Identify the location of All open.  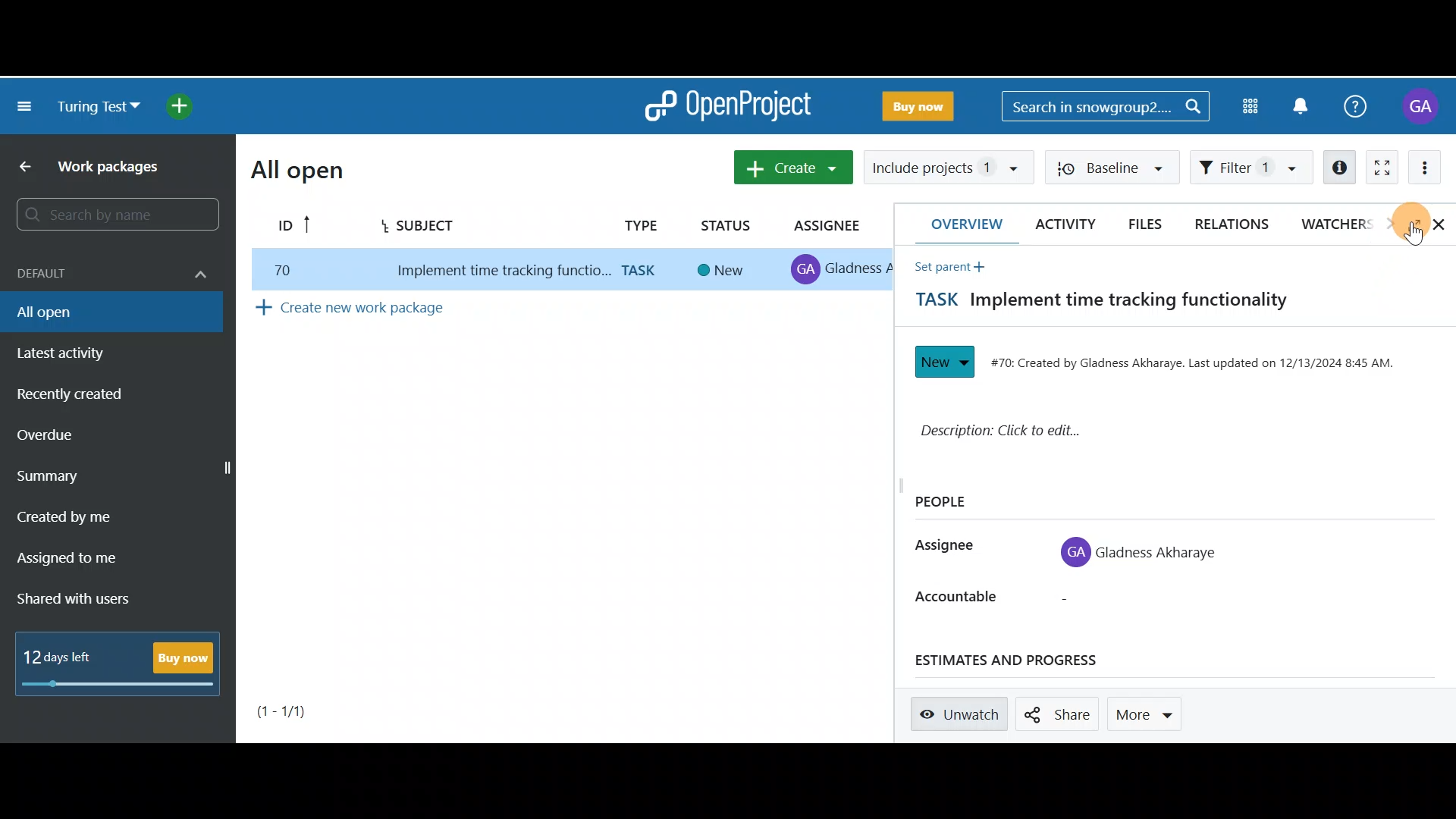
(337, 165).